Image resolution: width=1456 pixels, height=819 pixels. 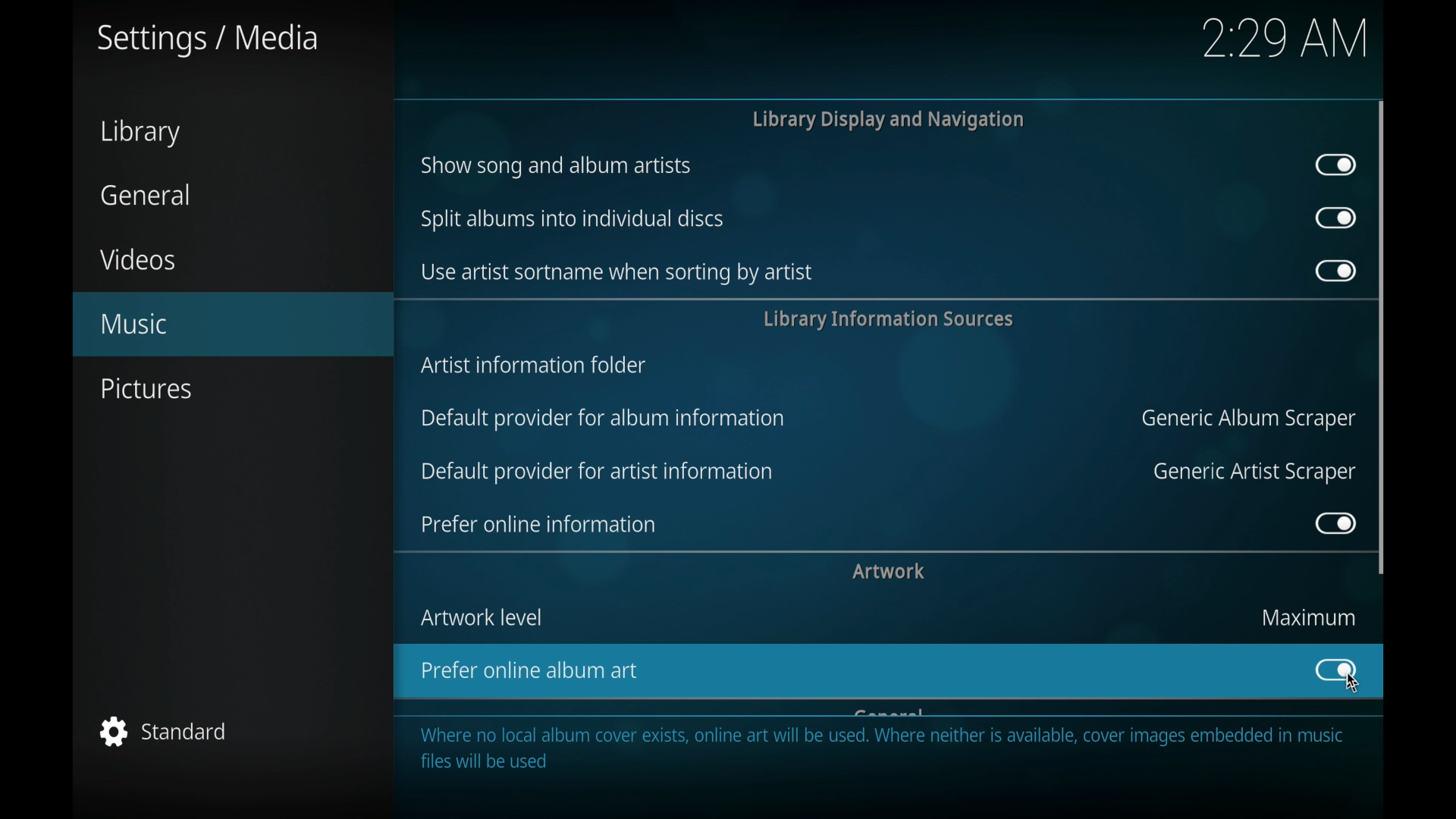 I want to click on toggle button, so click(x=1334, y=524).